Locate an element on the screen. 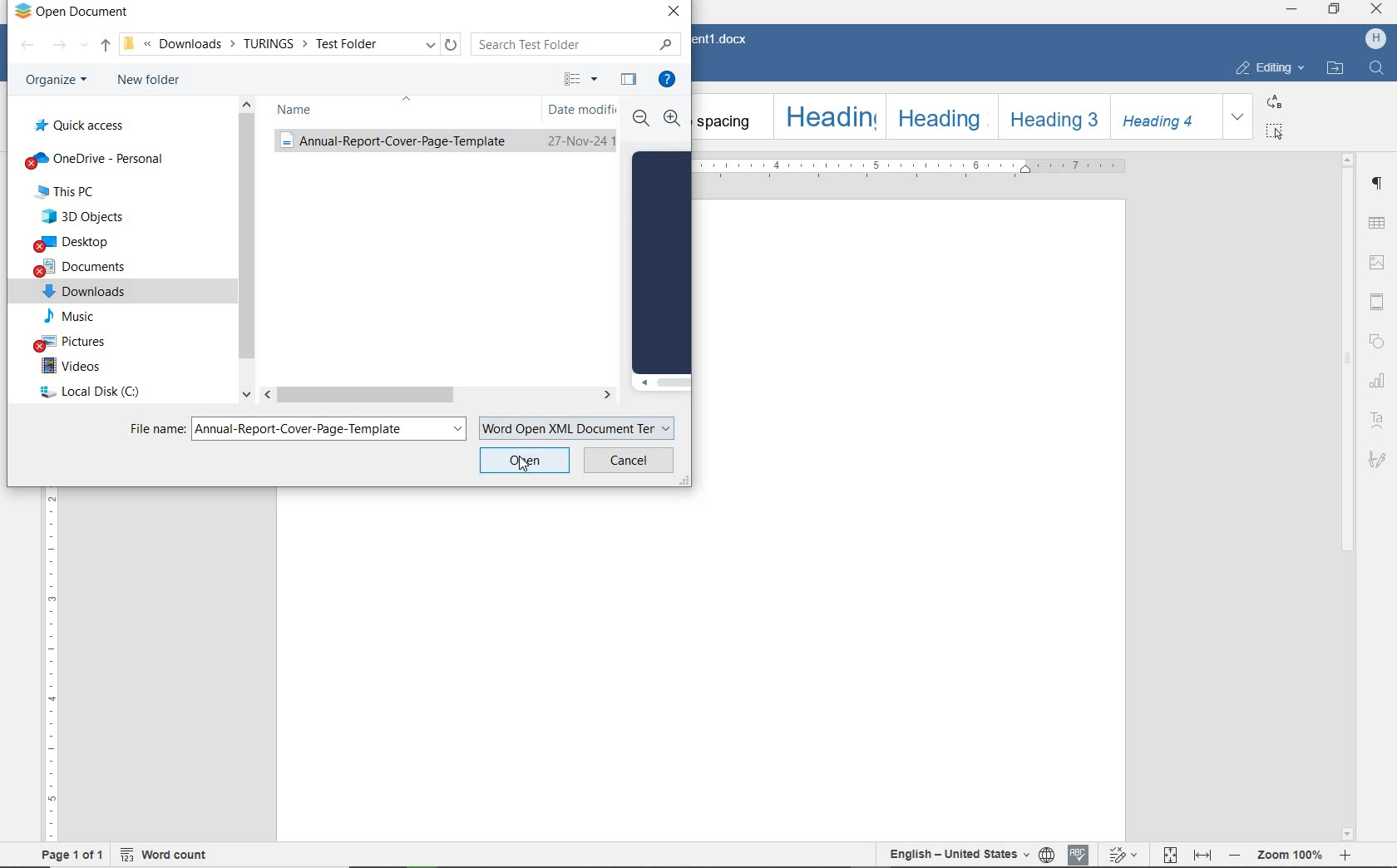 The width and height of the screenshot is (1397, 868). replace is located at coordinates (1274, 101).